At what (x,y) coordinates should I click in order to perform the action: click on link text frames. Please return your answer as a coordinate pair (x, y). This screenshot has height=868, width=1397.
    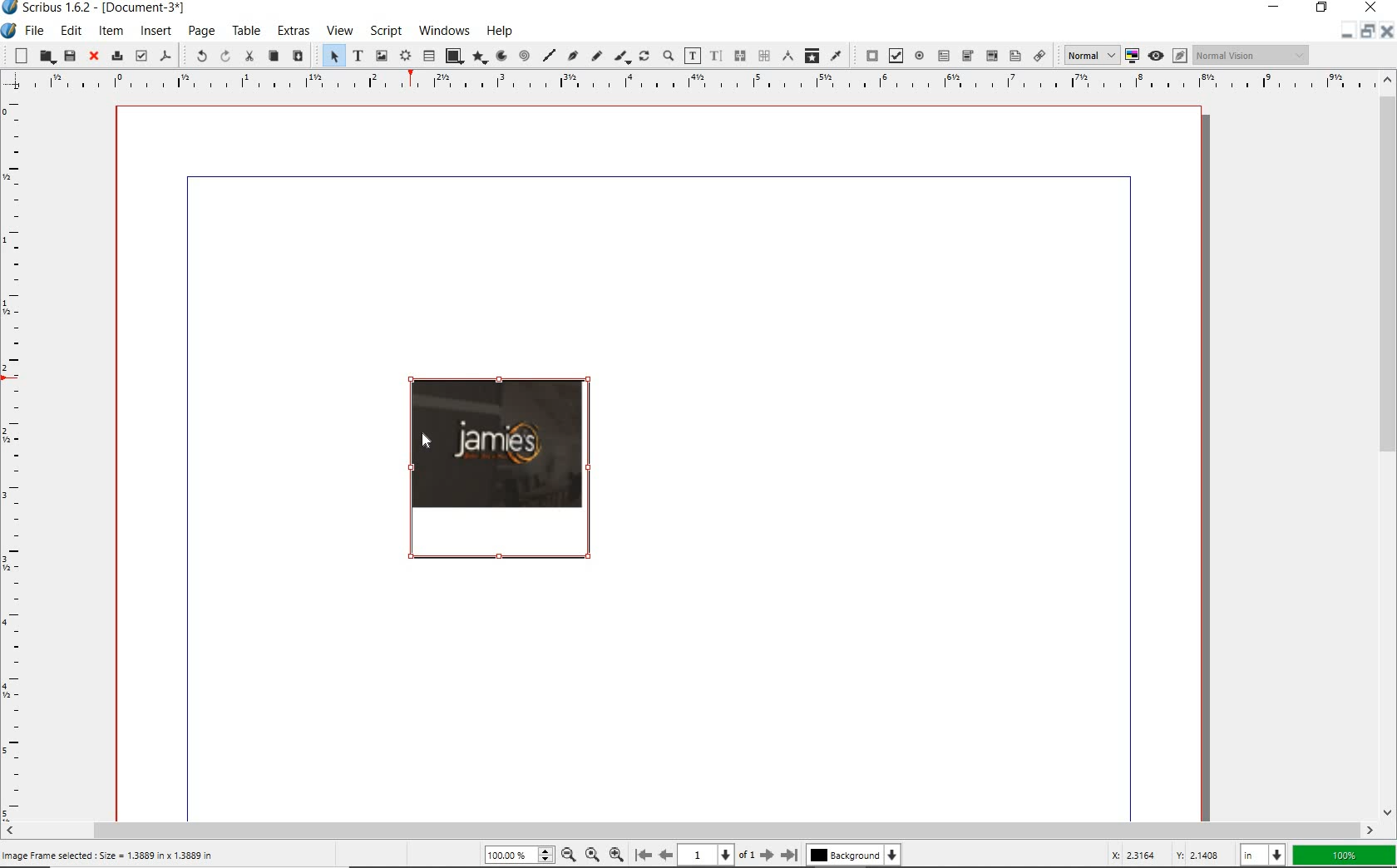
    Looking at the image, I should click on (738, 55).